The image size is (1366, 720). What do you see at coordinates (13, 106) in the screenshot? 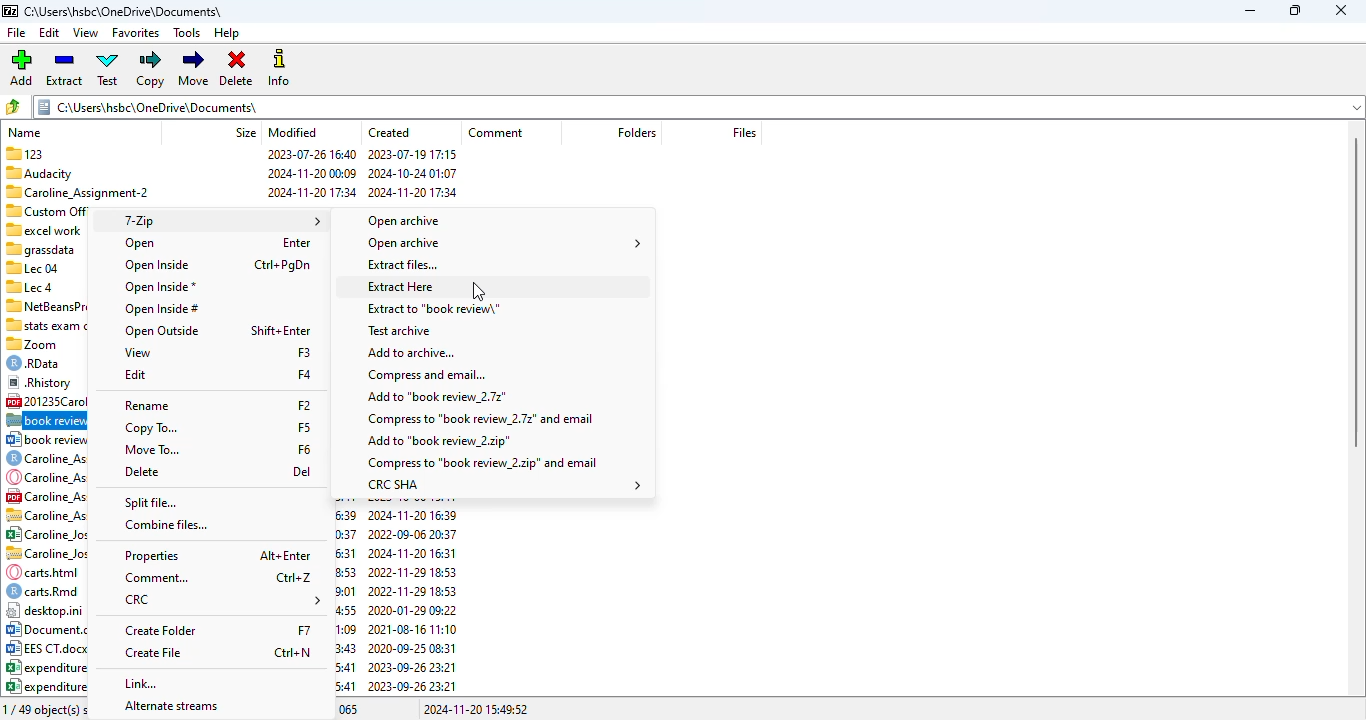
I see `browse folders` at bounding box center [13, 106].